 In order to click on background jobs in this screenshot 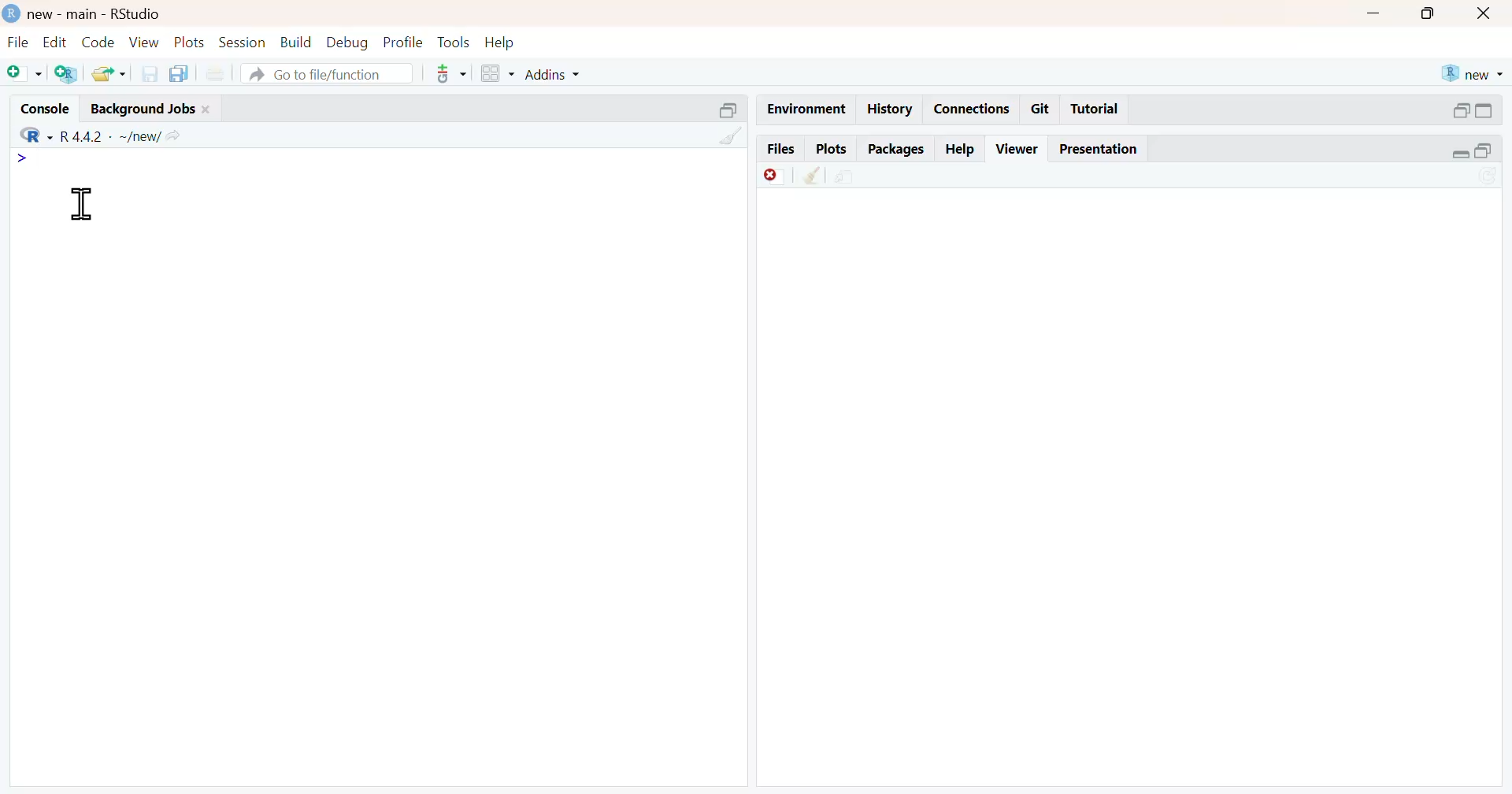, I will do `click(150, 110)`.